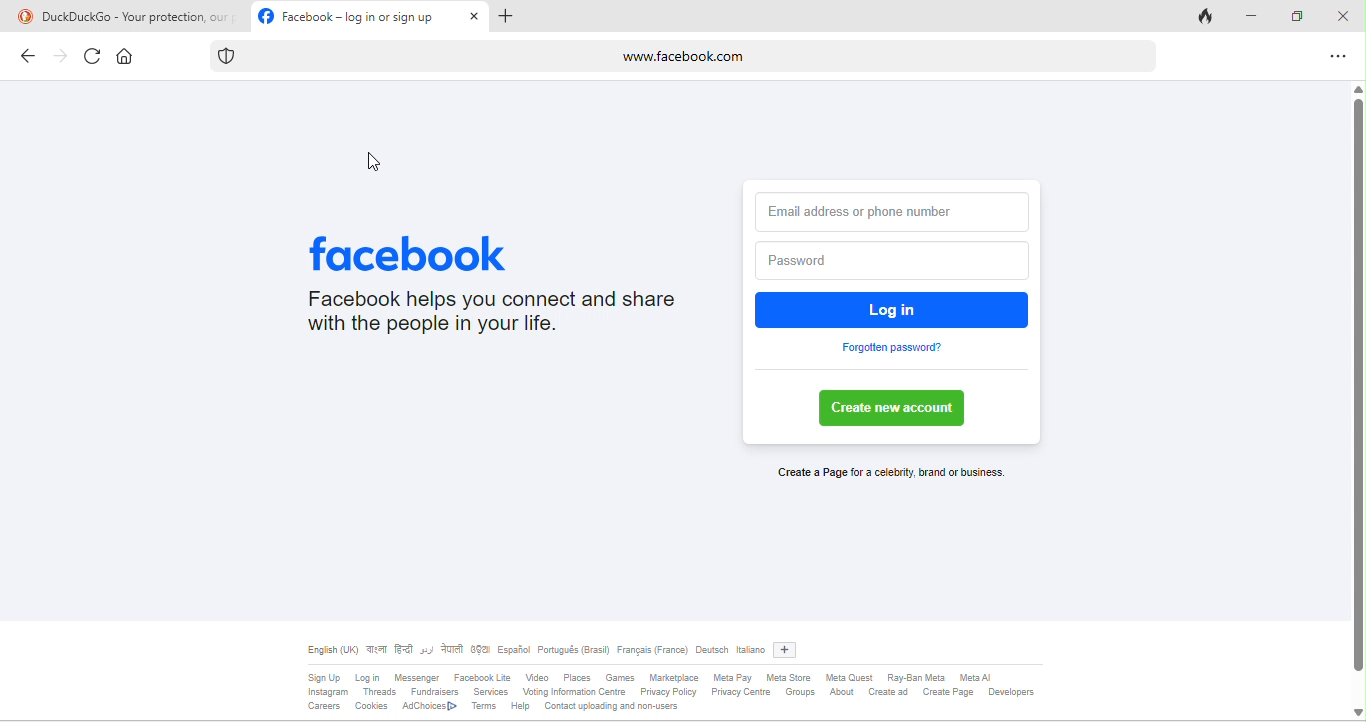  Describe the element at coordinates (888, 261) in the screenshot. I see `password` at that location.